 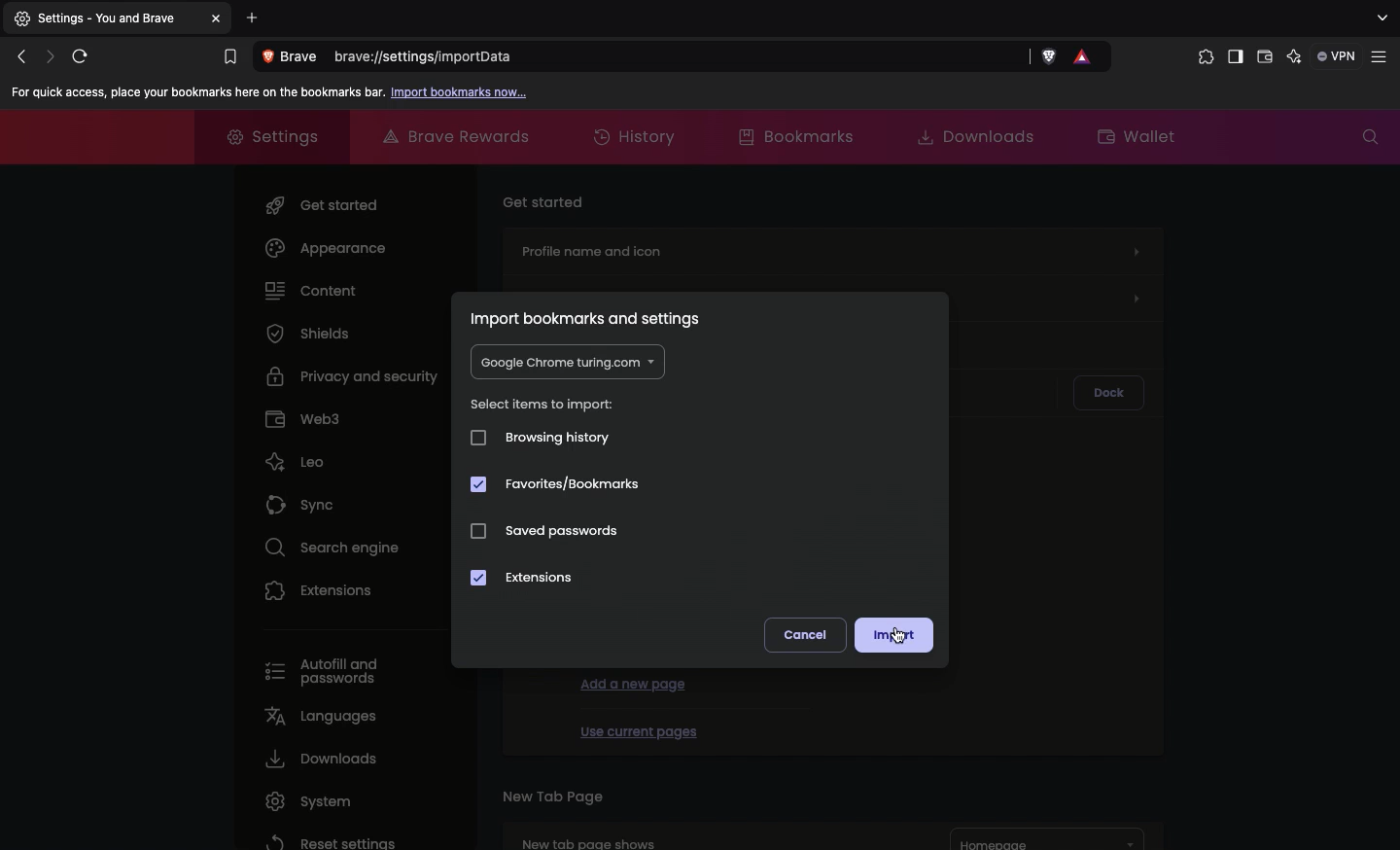 I want to click on Click to go forward, hold to see history, so click(x=51, y=55).